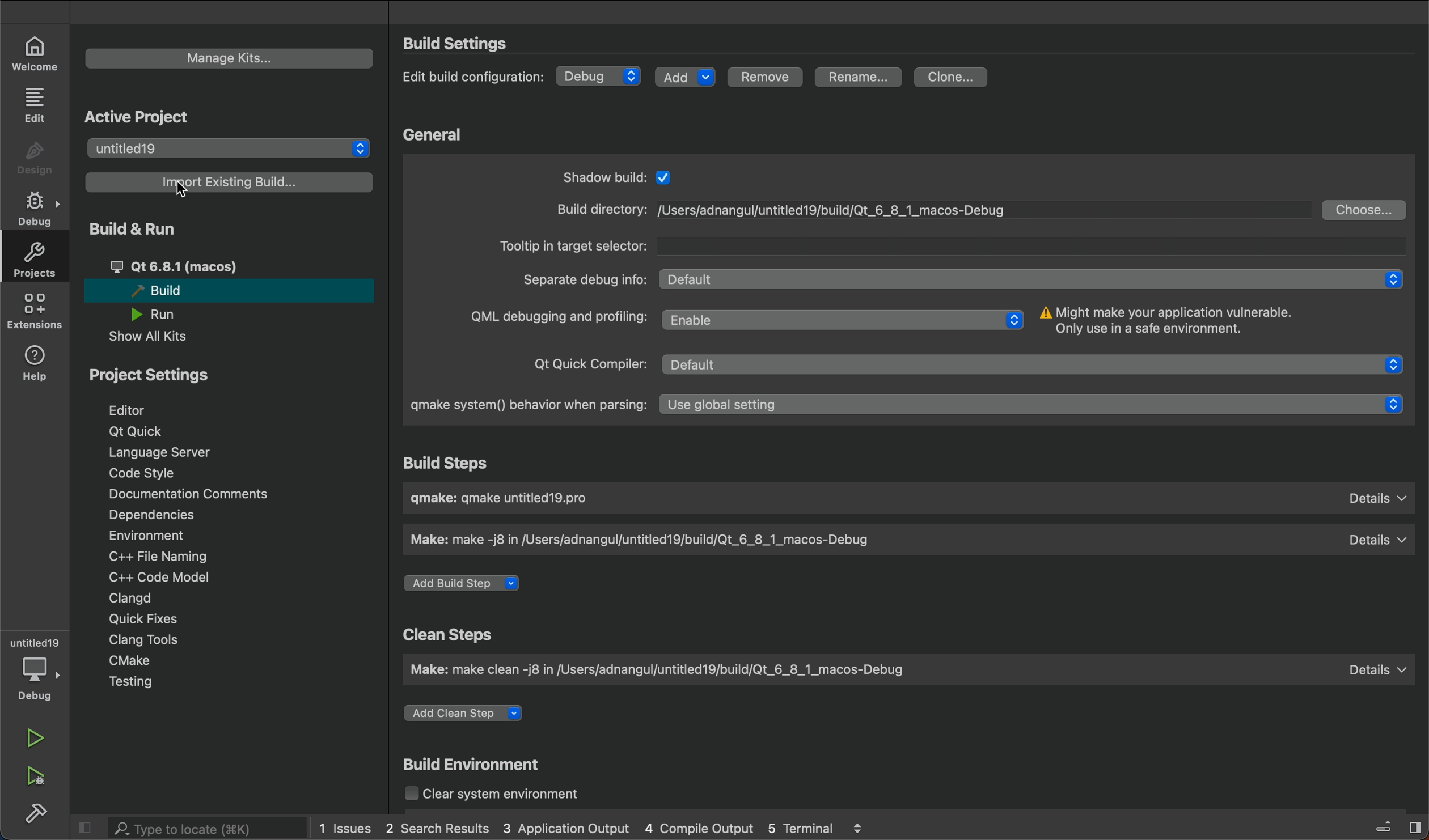 The image size is (1429, 840). Describe the element at coordinates (227, 149) in the screenshot. I see `untitled` at that location.